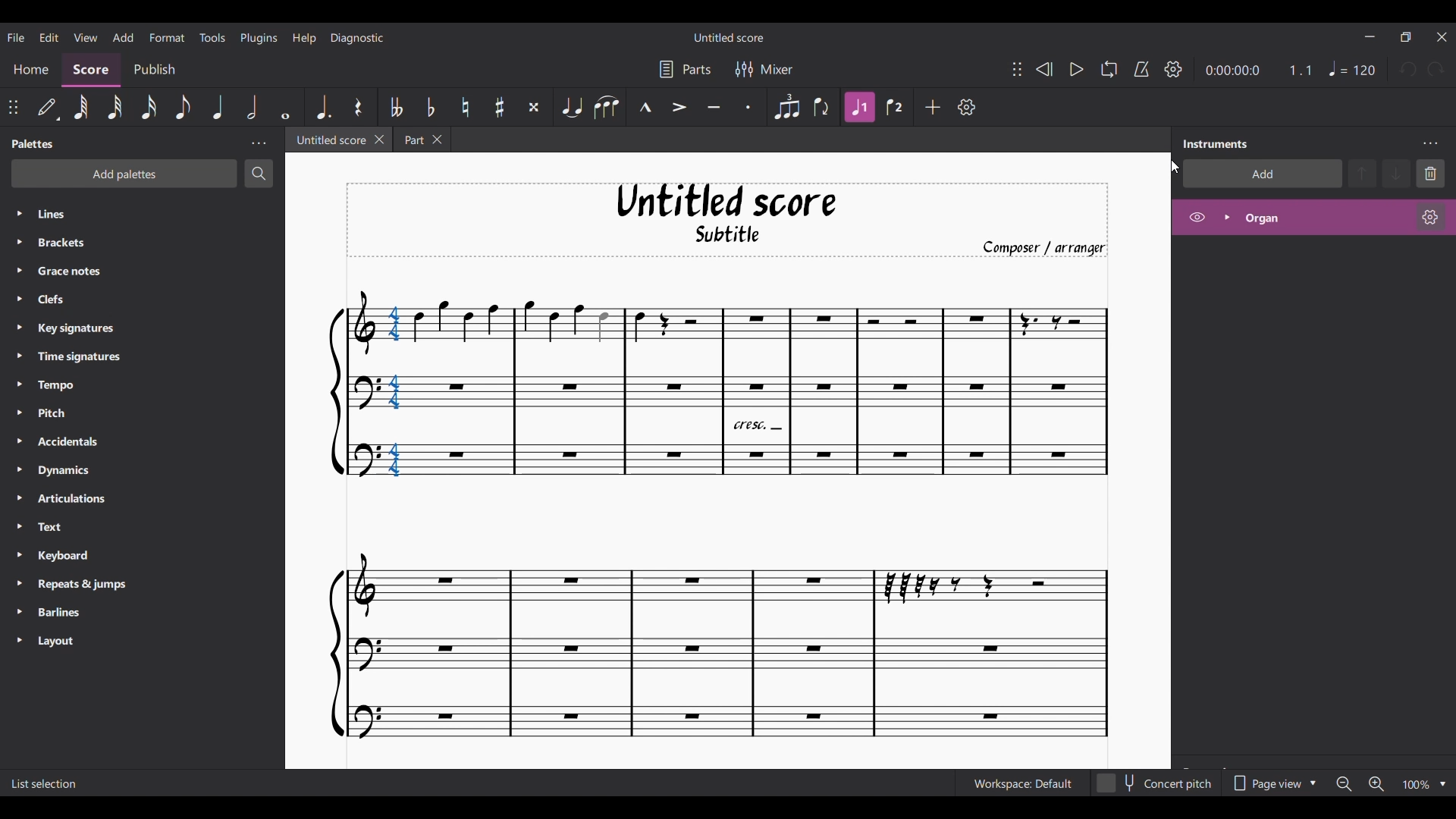  What do you see at coordinates (1325, 218) in the screenshot?
I see `Current instrument` at bounding box center [1325, 218].